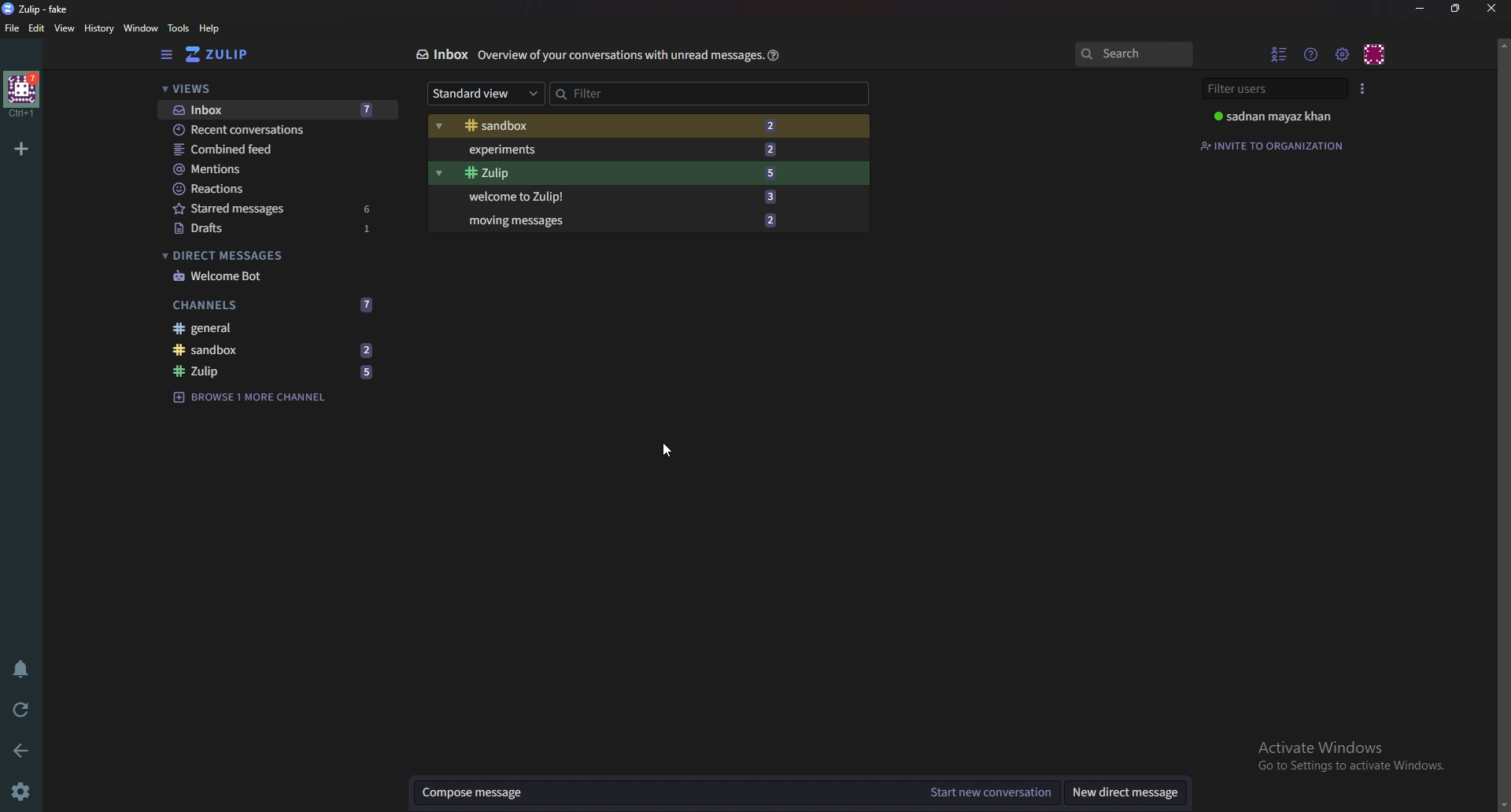  I want to click on Inbox, so click(443, 55).